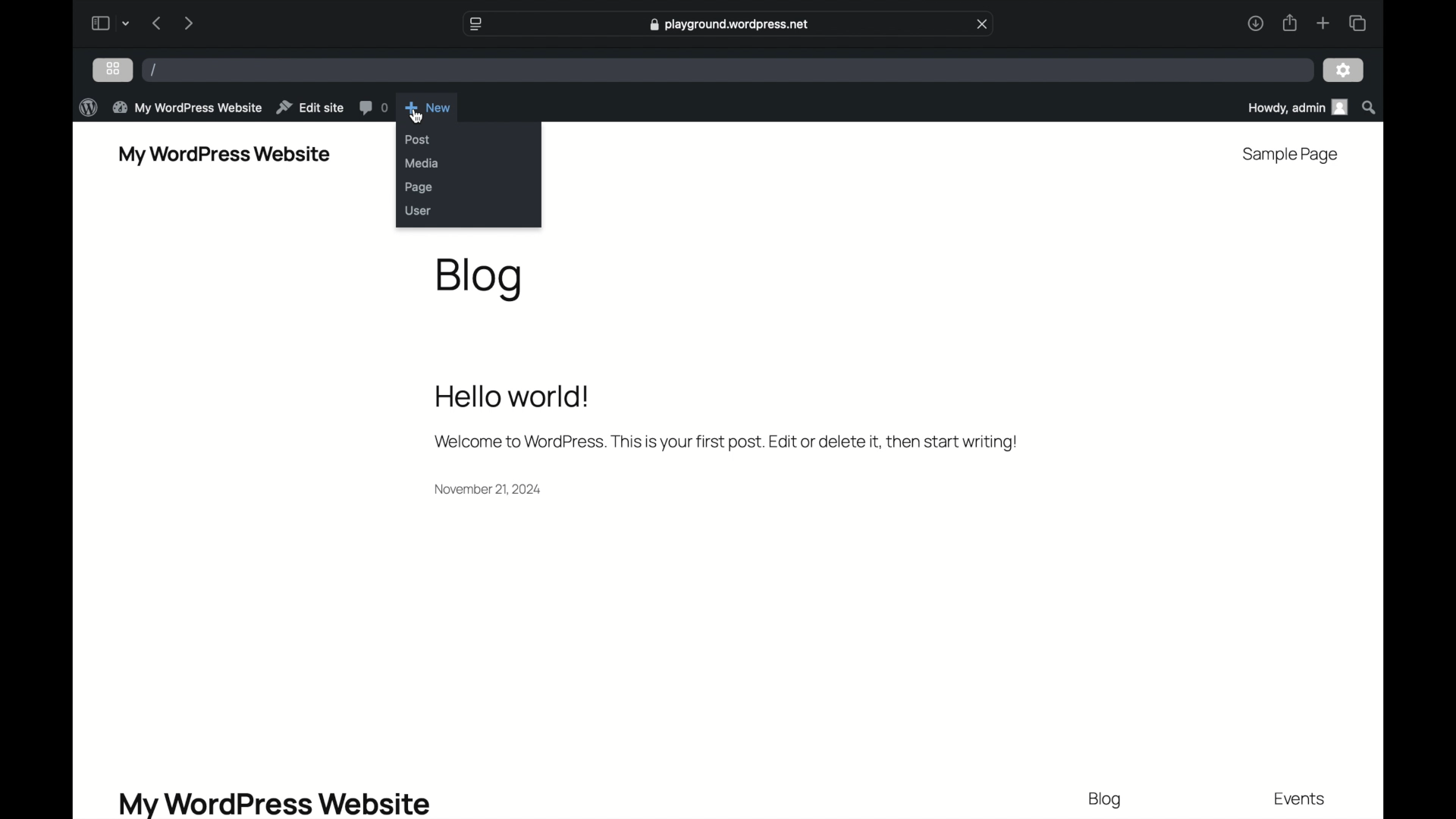  What do you see at coordinates (1296, 107) in the screenshot?
I see `howdy, admin` at bounding box center [1296, 107].